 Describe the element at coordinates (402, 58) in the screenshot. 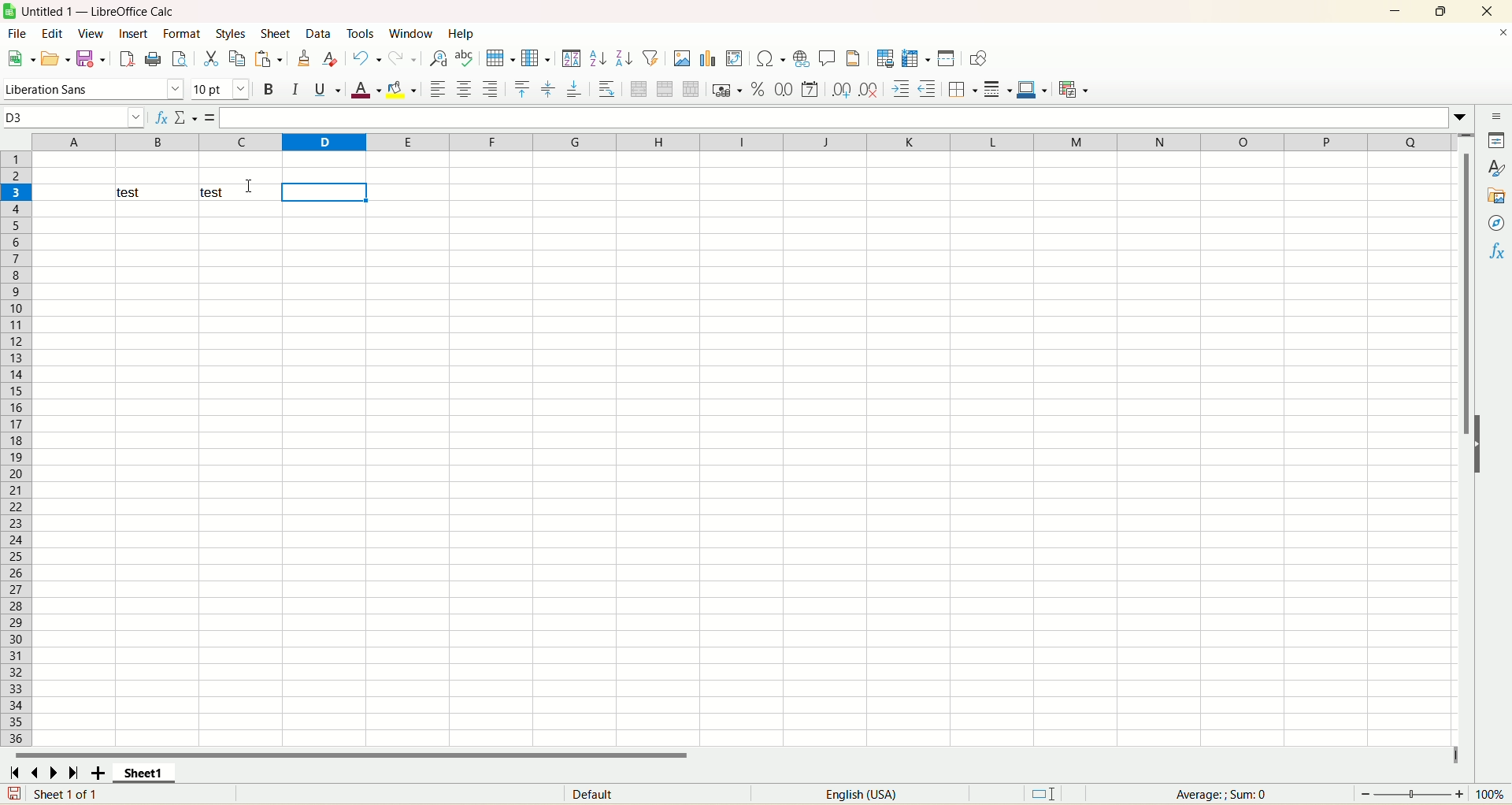

I see `redo` at that location.